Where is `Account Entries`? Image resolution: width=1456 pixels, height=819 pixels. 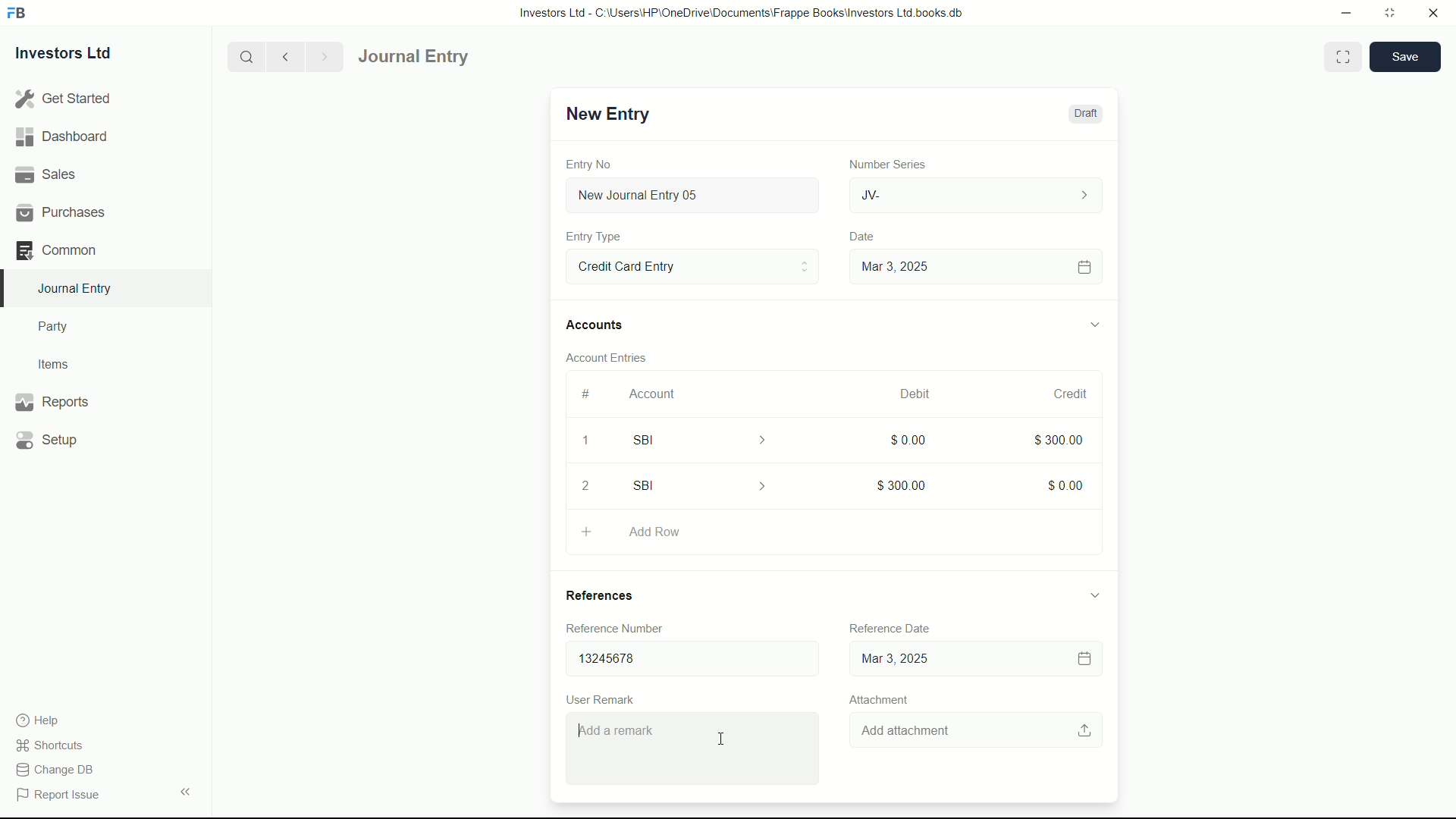
Account Entries is located at coordinates (613, 355).